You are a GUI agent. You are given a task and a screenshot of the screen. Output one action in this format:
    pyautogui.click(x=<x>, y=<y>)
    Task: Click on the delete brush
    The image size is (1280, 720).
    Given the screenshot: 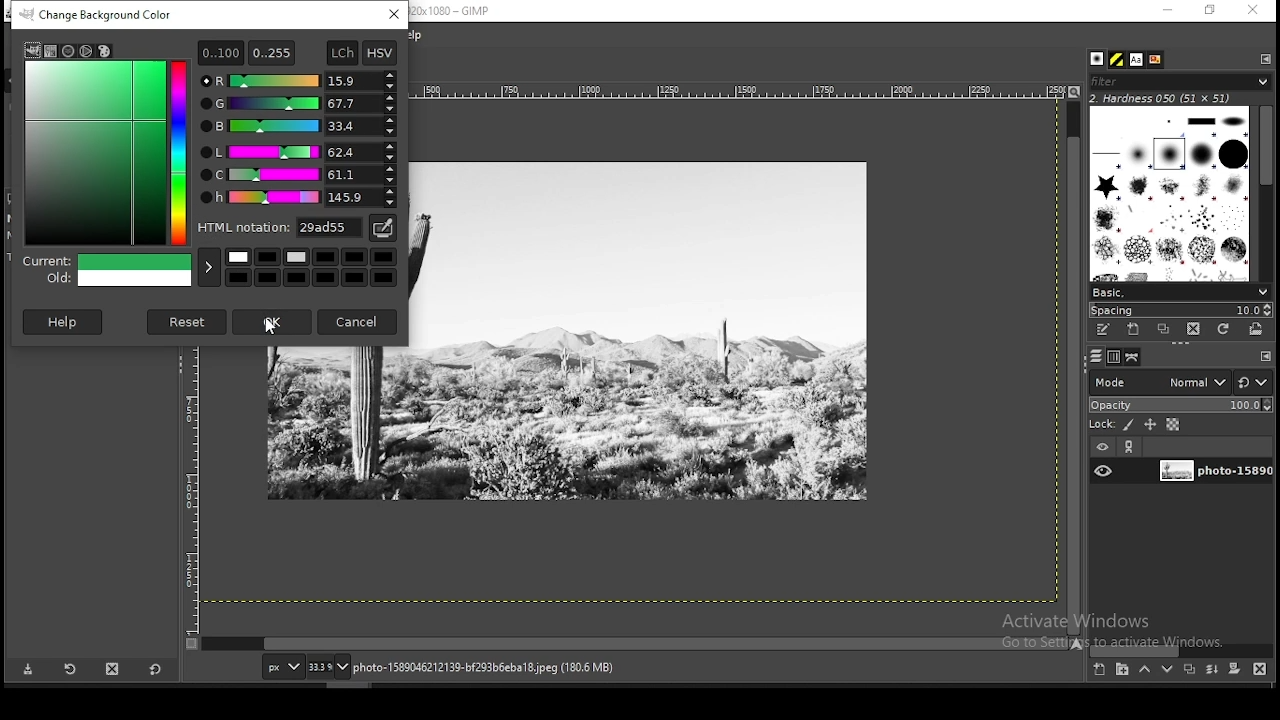 What is the action you would take?
    pyautogui.click(x=1193, y=330)
    